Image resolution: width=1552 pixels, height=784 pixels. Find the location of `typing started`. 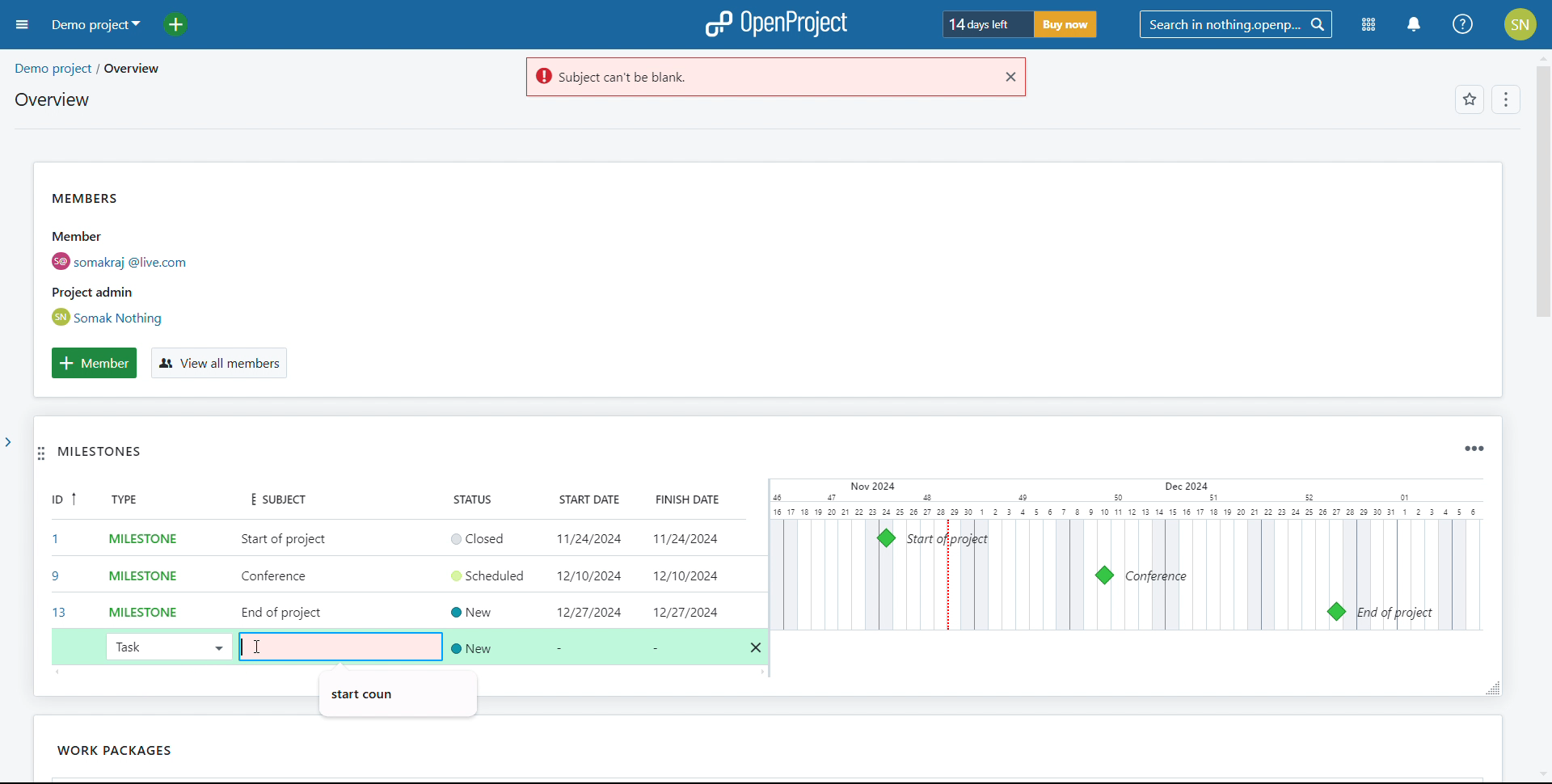

typing started is located at coordinates (247, 646).